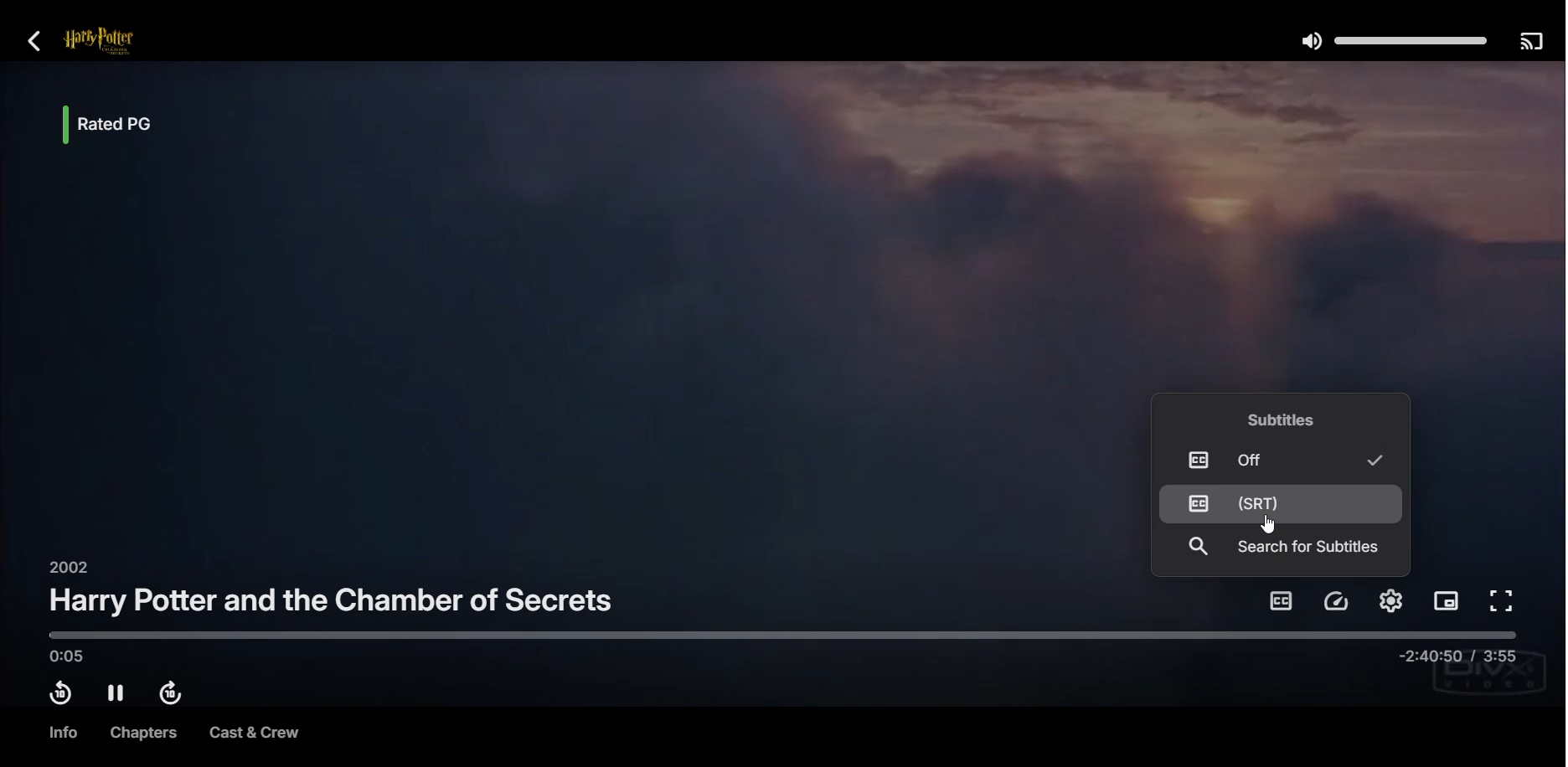 Image resolution: width=1568 pixels, height=767 pixels. I want to click on Harry Potter logo, so click(121, 42).